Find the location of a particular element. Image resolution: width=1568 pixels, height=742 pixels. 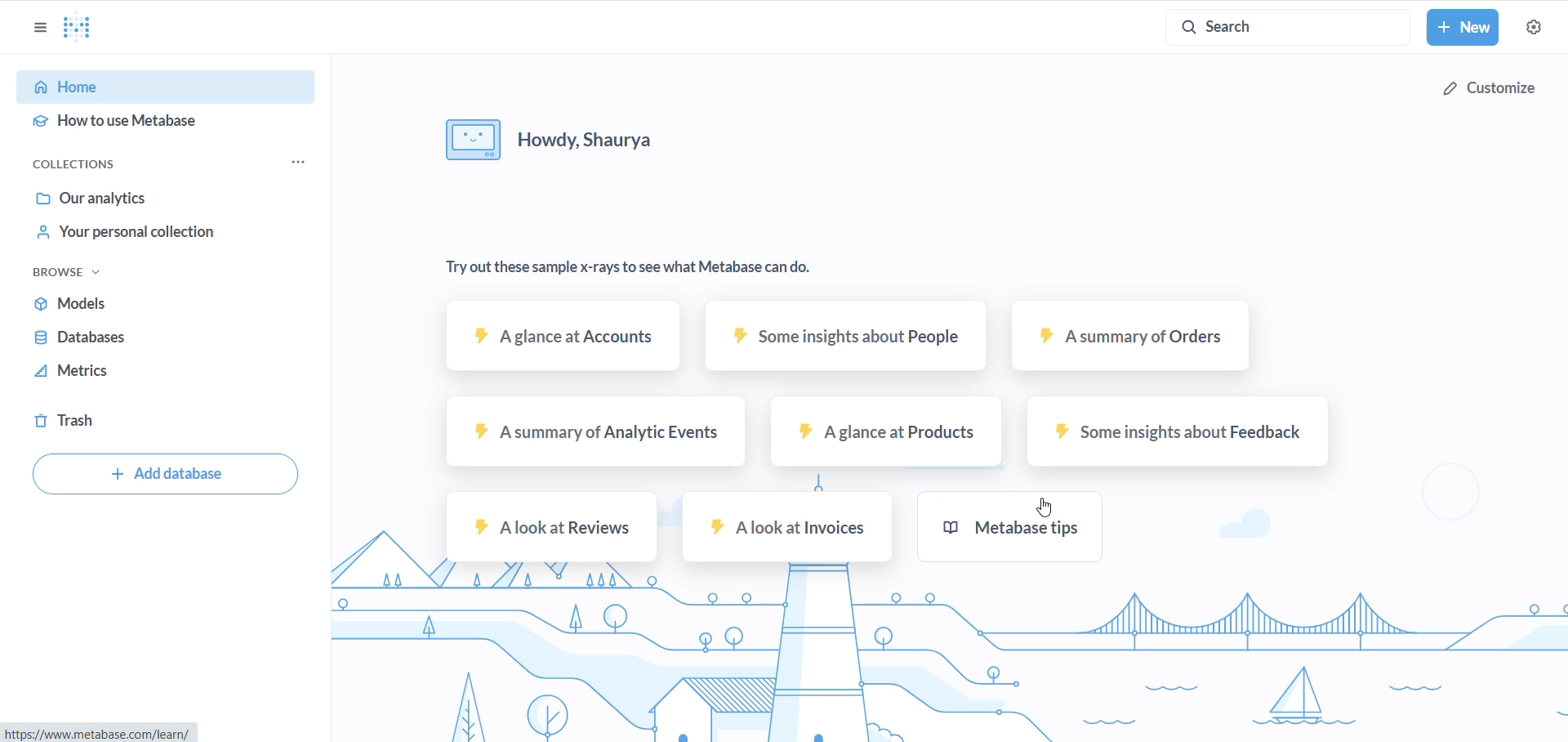

databases is located at coordinates (109, 341).